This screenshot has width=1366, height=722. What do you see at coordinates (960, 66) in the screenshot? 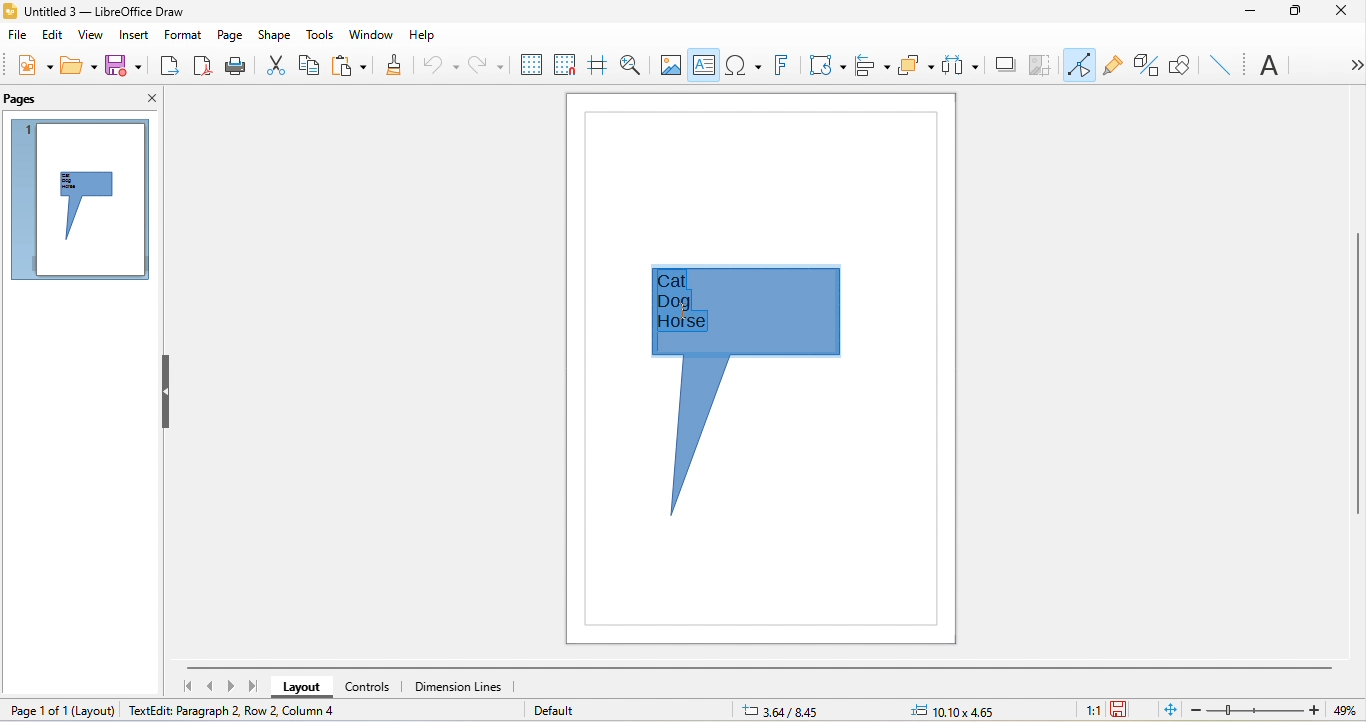
I see `select at least three object` at bounding box center [960, 66].